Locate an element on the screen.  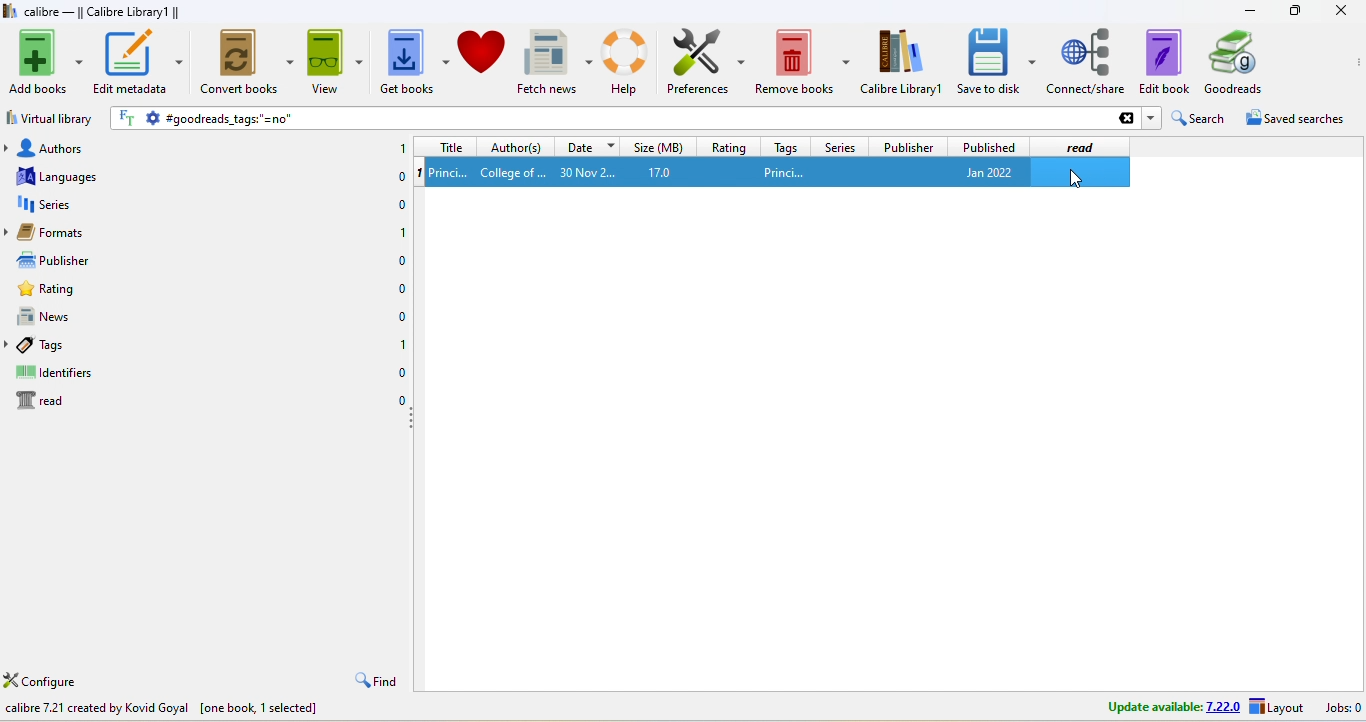
connect/share is located at coordinates (1087, 62).